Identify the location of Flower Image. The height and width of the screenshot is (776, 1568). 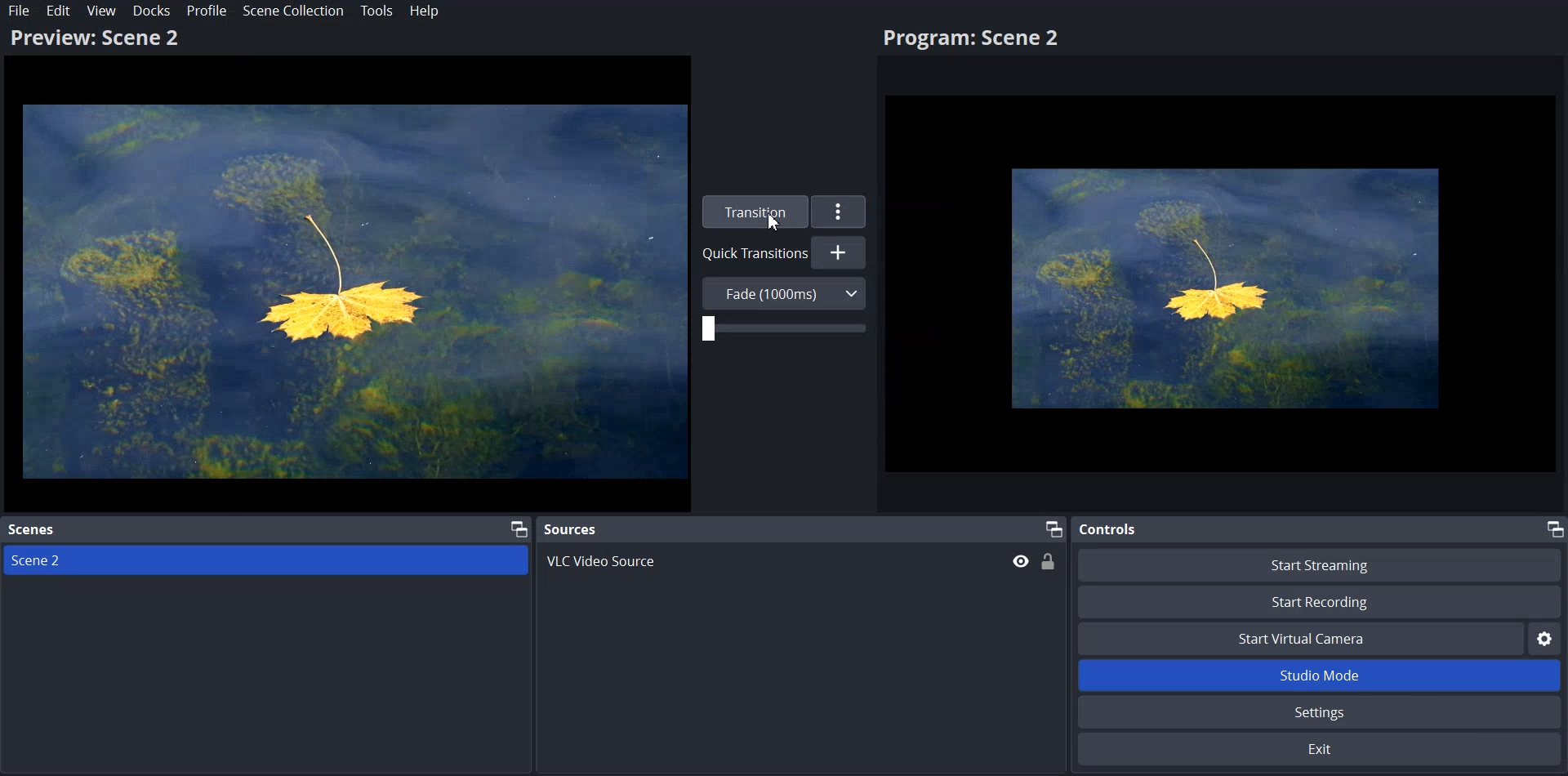
(348, 292).